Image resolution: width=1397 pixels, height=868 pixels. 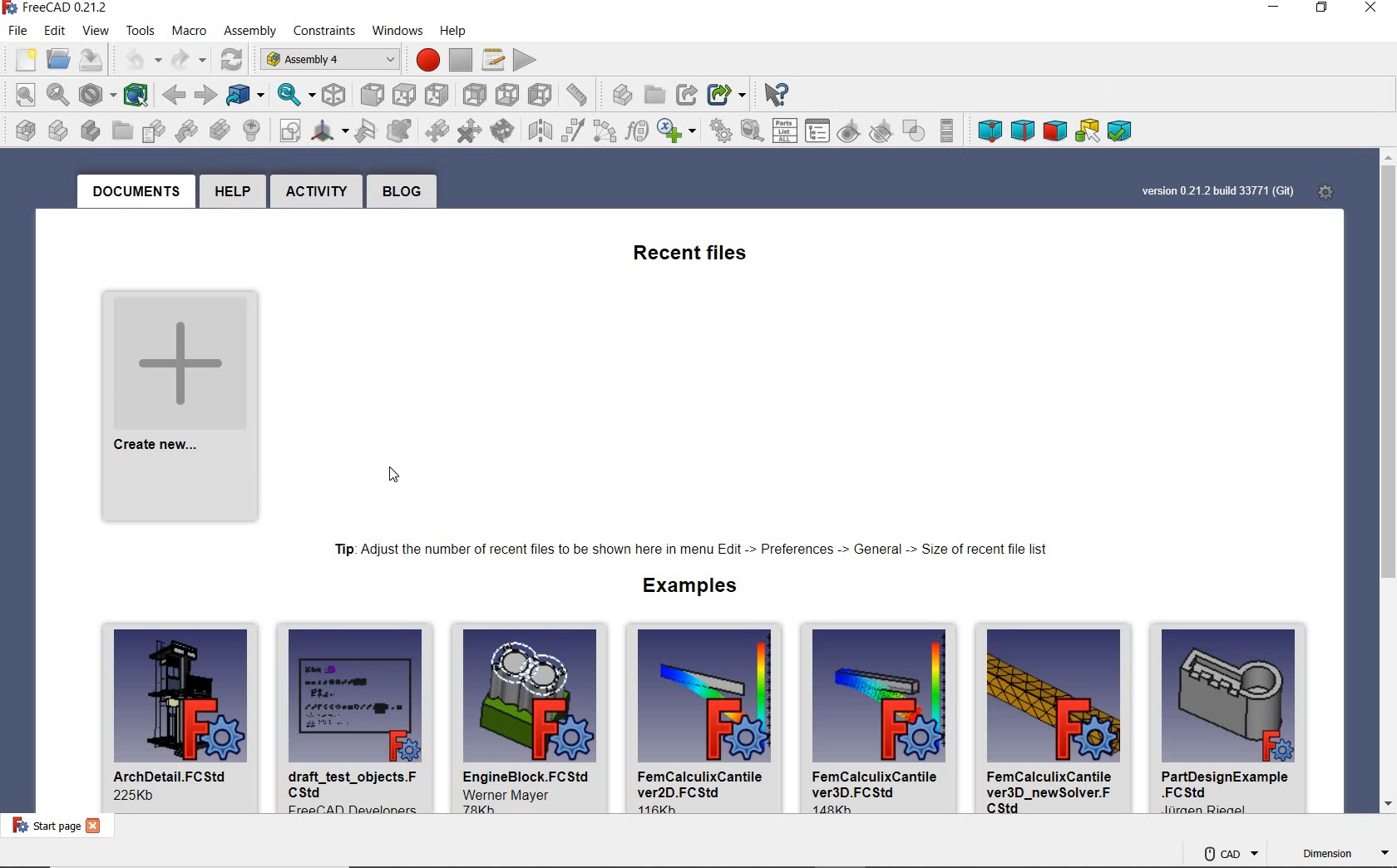 I want to click on clear all selection filters, so click(x=1119, y=131).